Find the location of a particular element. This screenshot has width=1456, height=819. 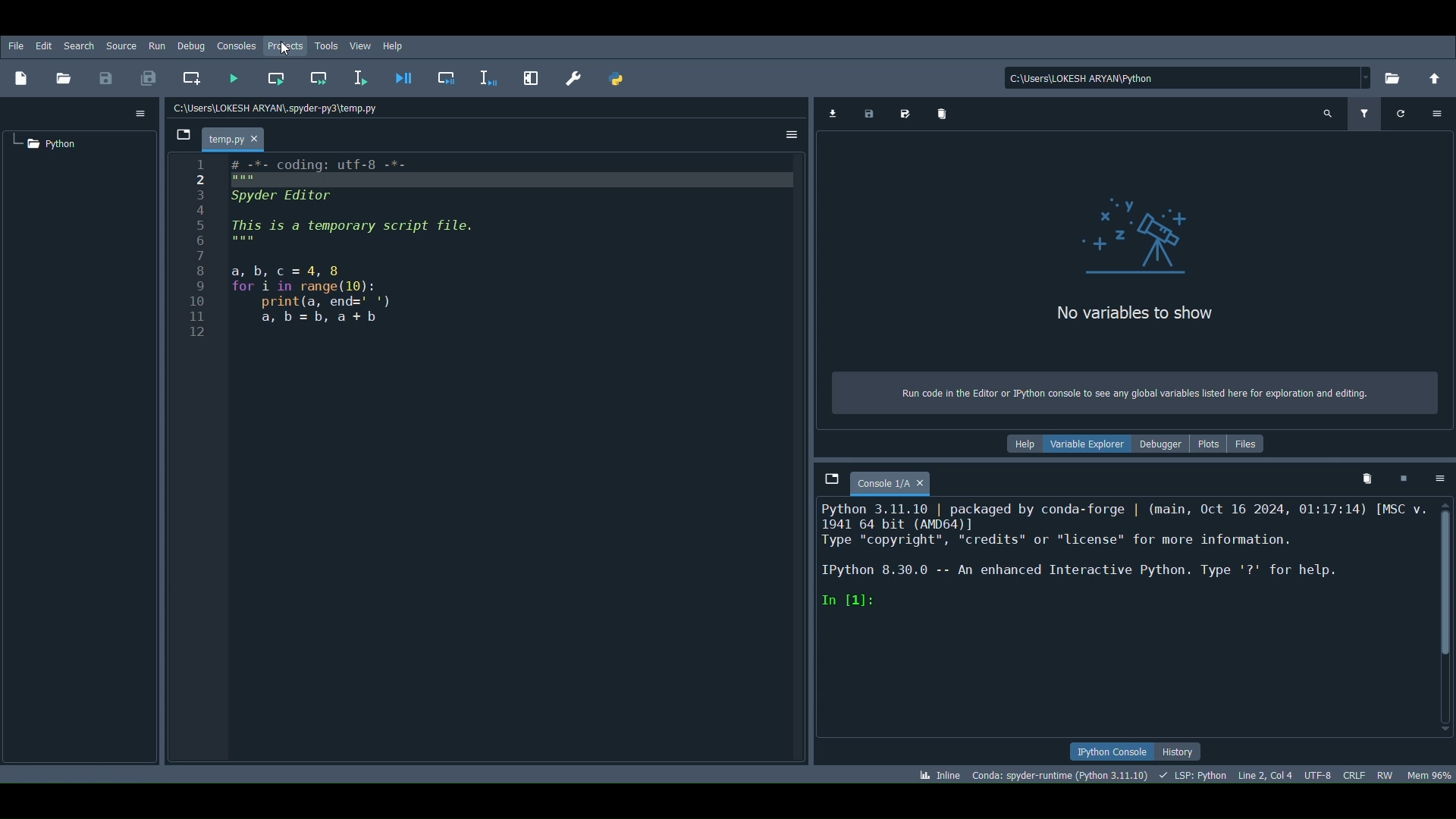

Open file (Ctrl + O) is located at coordinates (65, 77).